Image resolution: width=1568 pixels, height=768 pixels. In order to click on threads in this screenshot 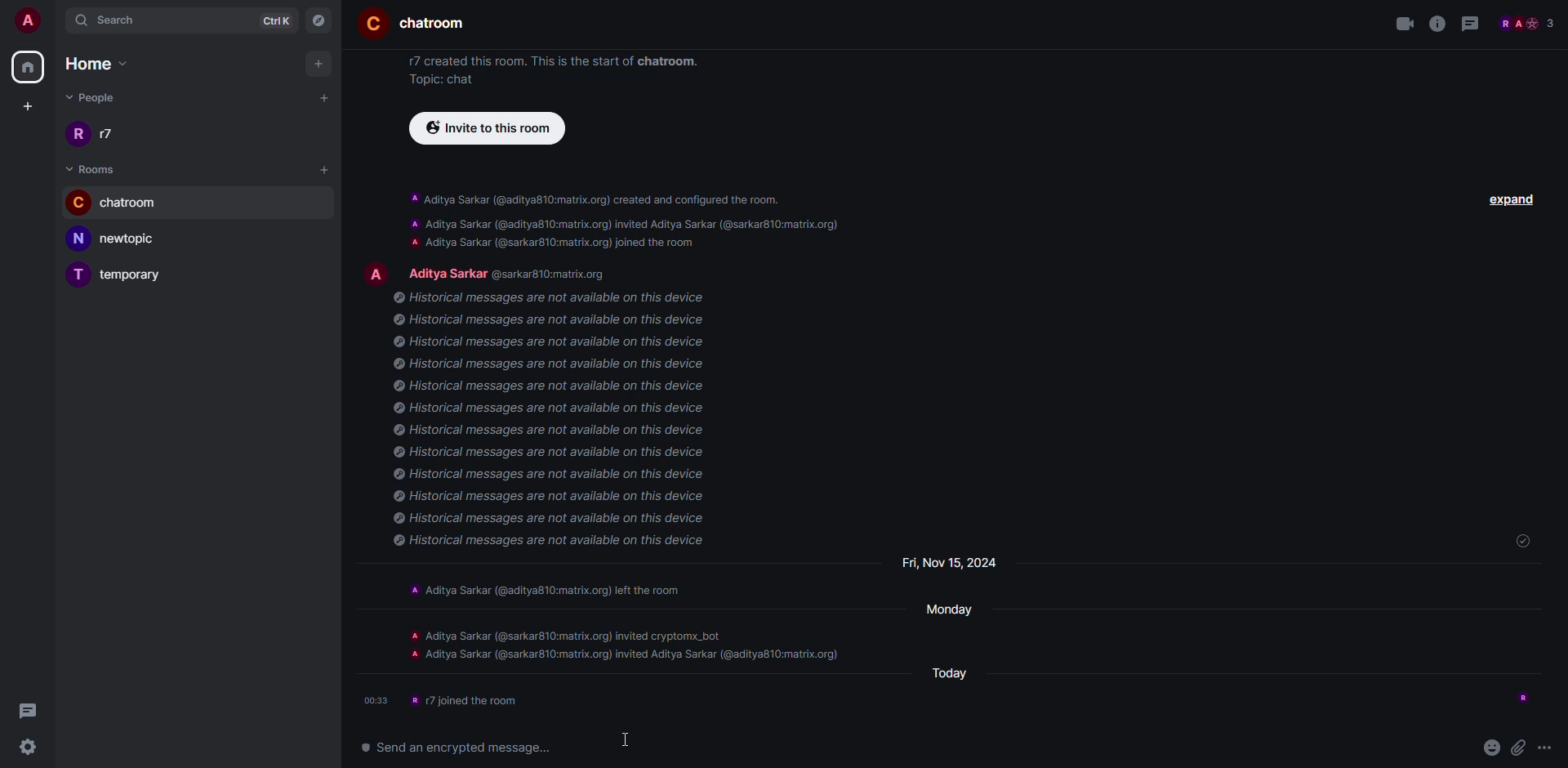, I will do `click(1473, 24)`.